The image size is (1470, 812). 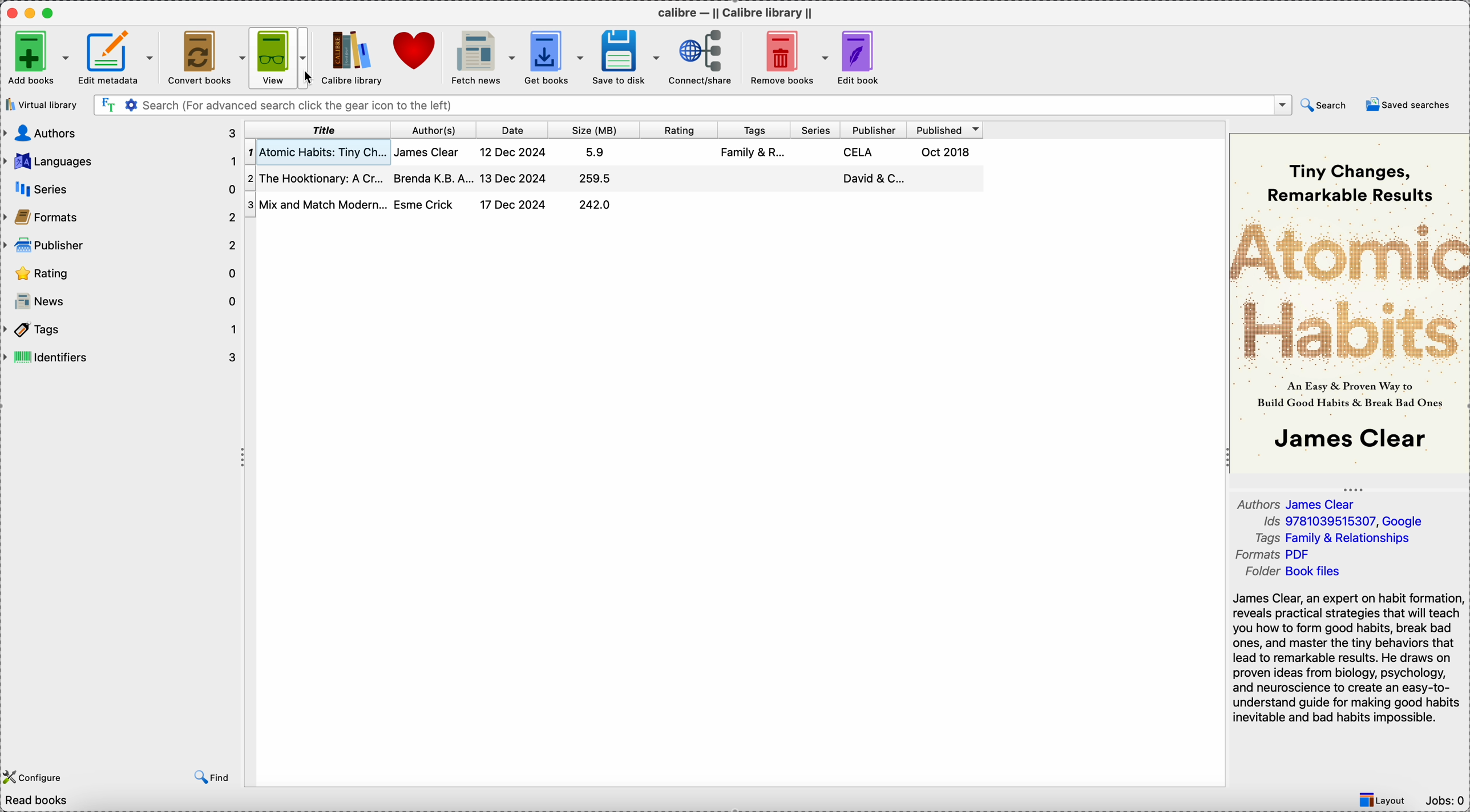 What do you see at coordinates (1383, 801) in the screenshot?
I see `layout` at bounding box center [1383, 801].